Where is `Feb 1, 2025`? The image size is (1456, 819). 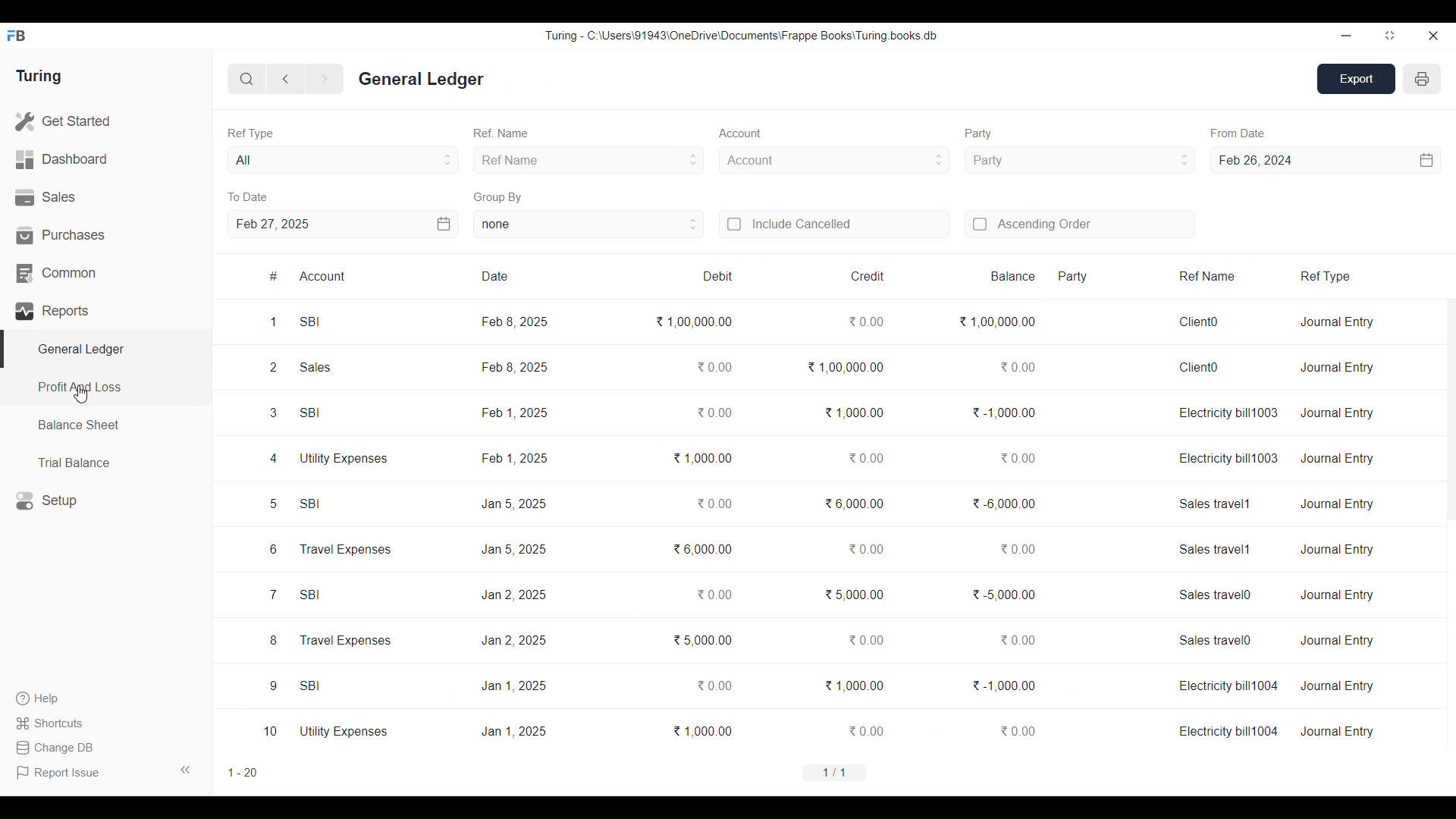
Feb 1, 2025 is located at coordinates (514, 412).